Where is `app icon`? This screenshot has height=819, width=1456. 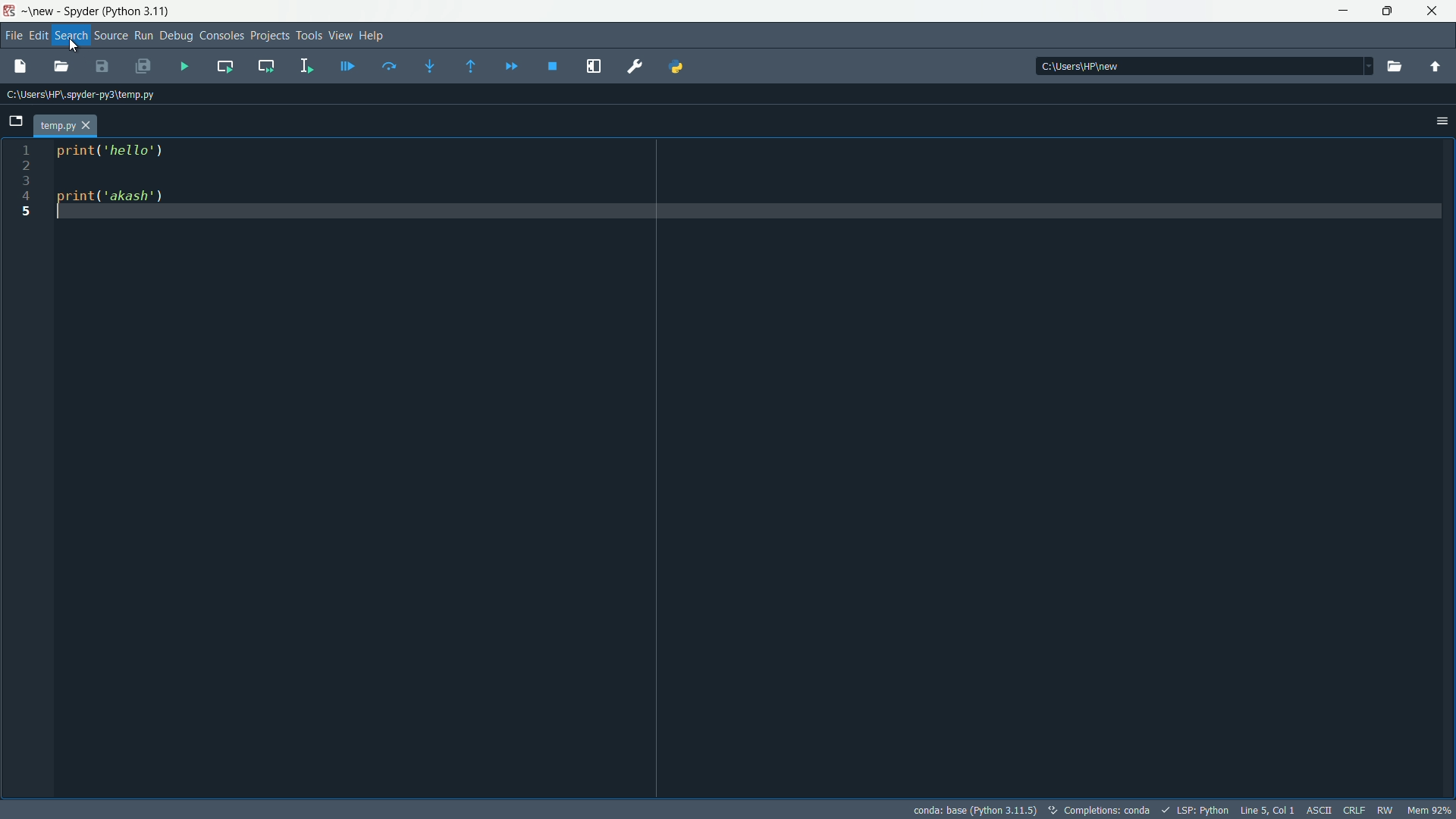
app icon is located at coordinates (11, 12).